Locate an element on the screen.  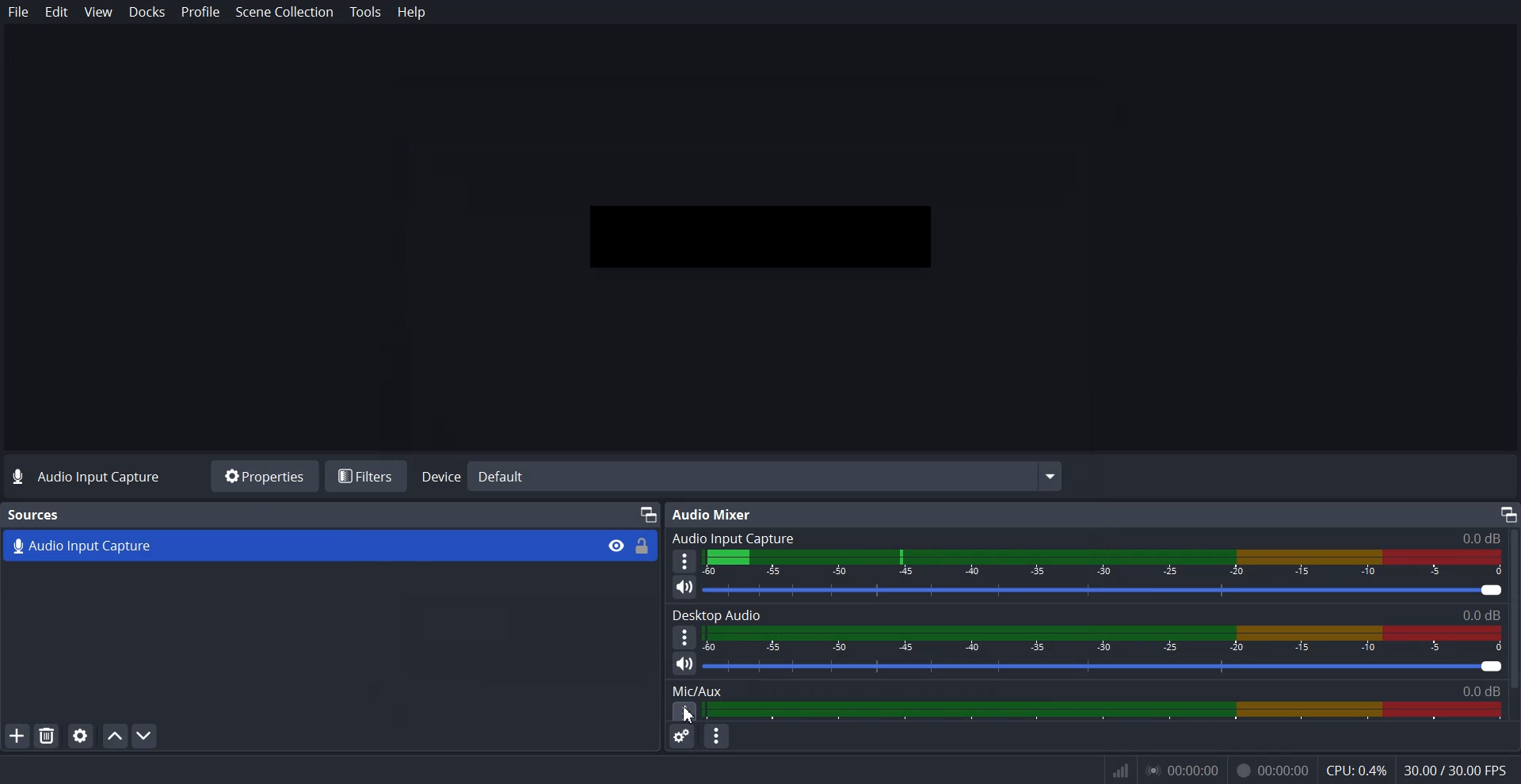
More  is located at coordinates (684, 636).